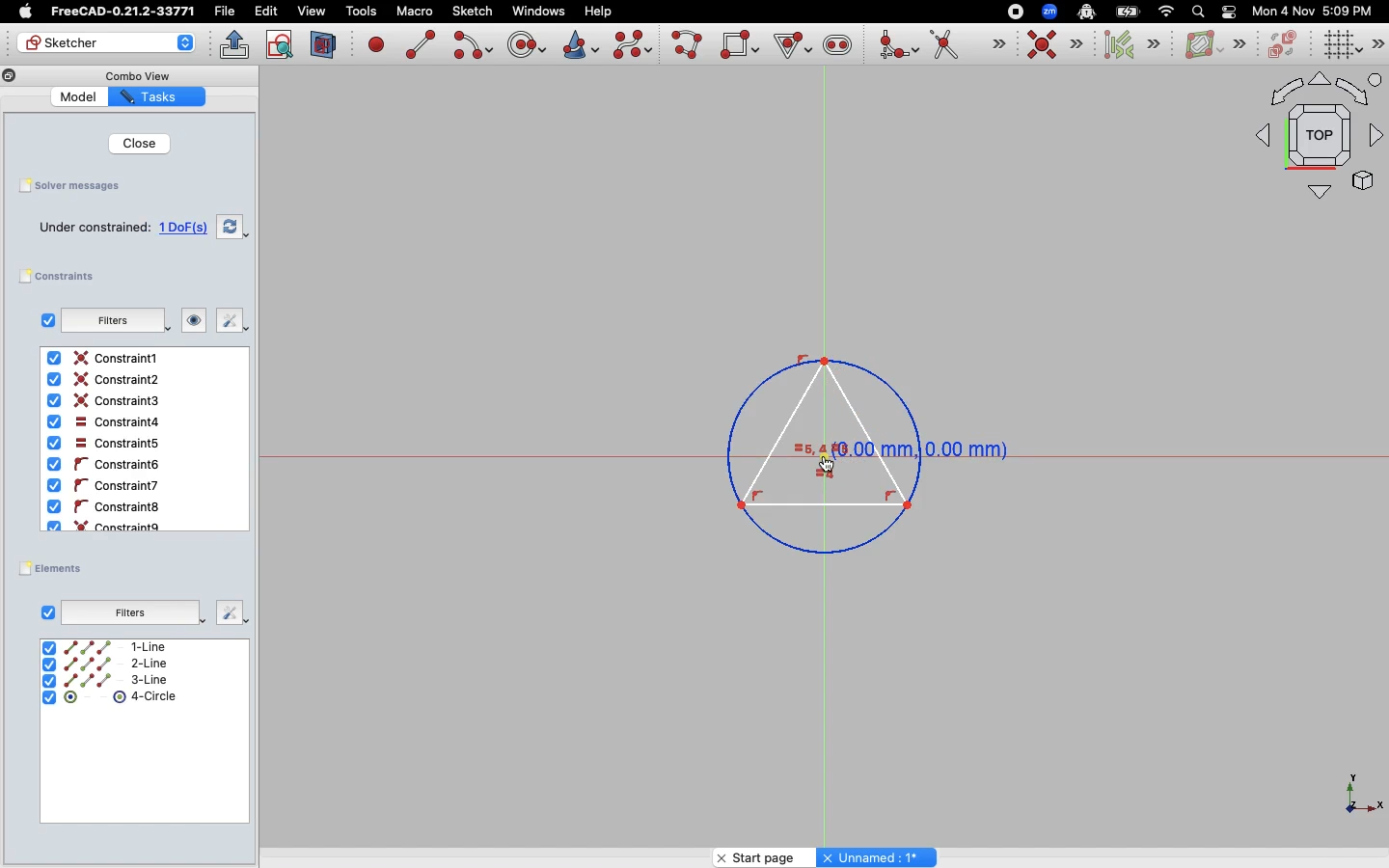 This screenshot has width=1389, height=868. What do you see at coordinates (472, 45) in the screenshot?
I see `Create arc` at bounding box center [472, 45].